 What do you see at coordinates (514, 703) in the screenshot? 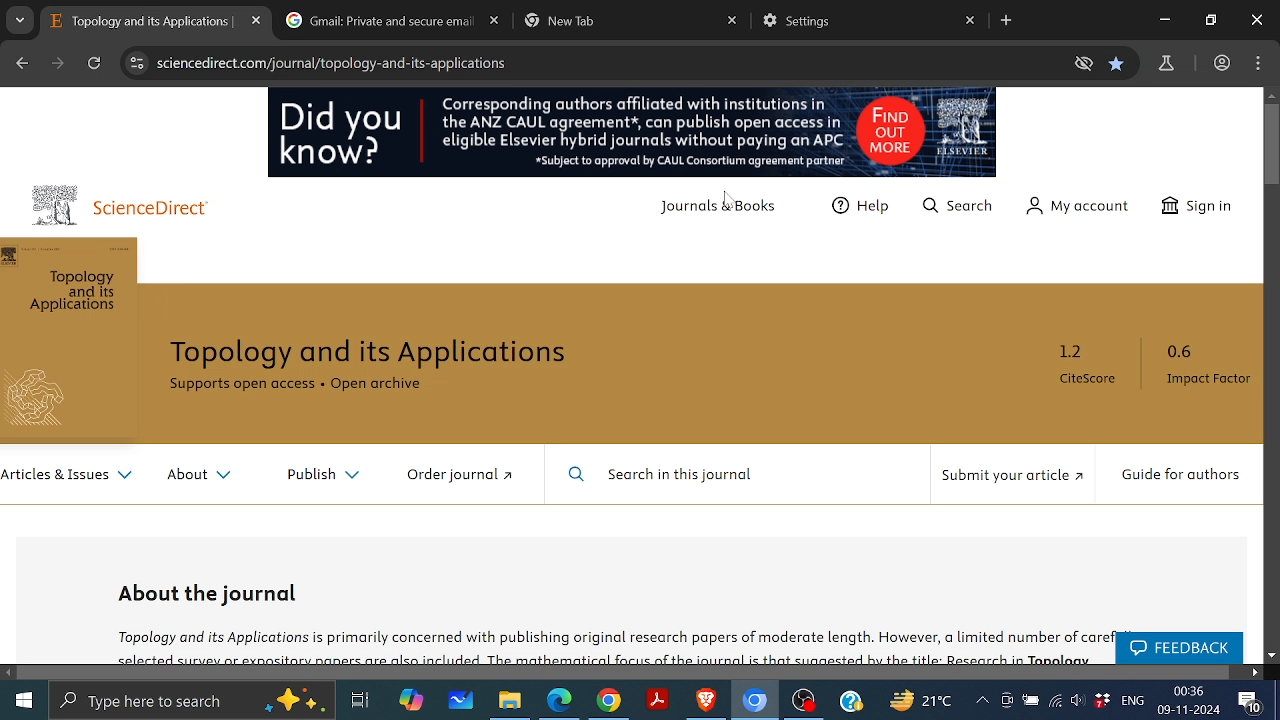
I see `file explorer` at bounding box center [514, 703].